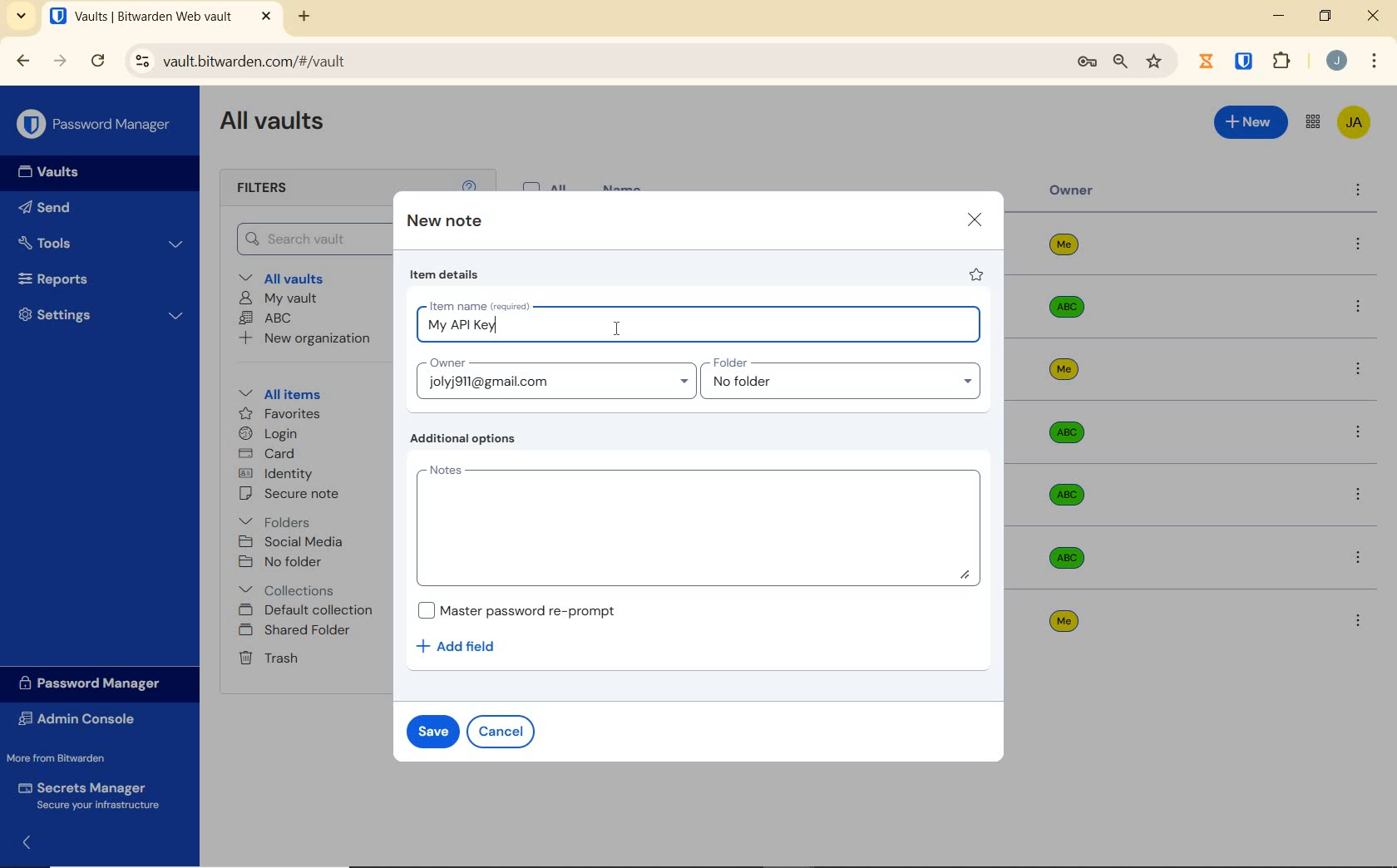 The height and width of the screenshot is (868, 1397). Describe the element at coordinates (96, 123) in the screenshot. I see `Password Manager` at that location.